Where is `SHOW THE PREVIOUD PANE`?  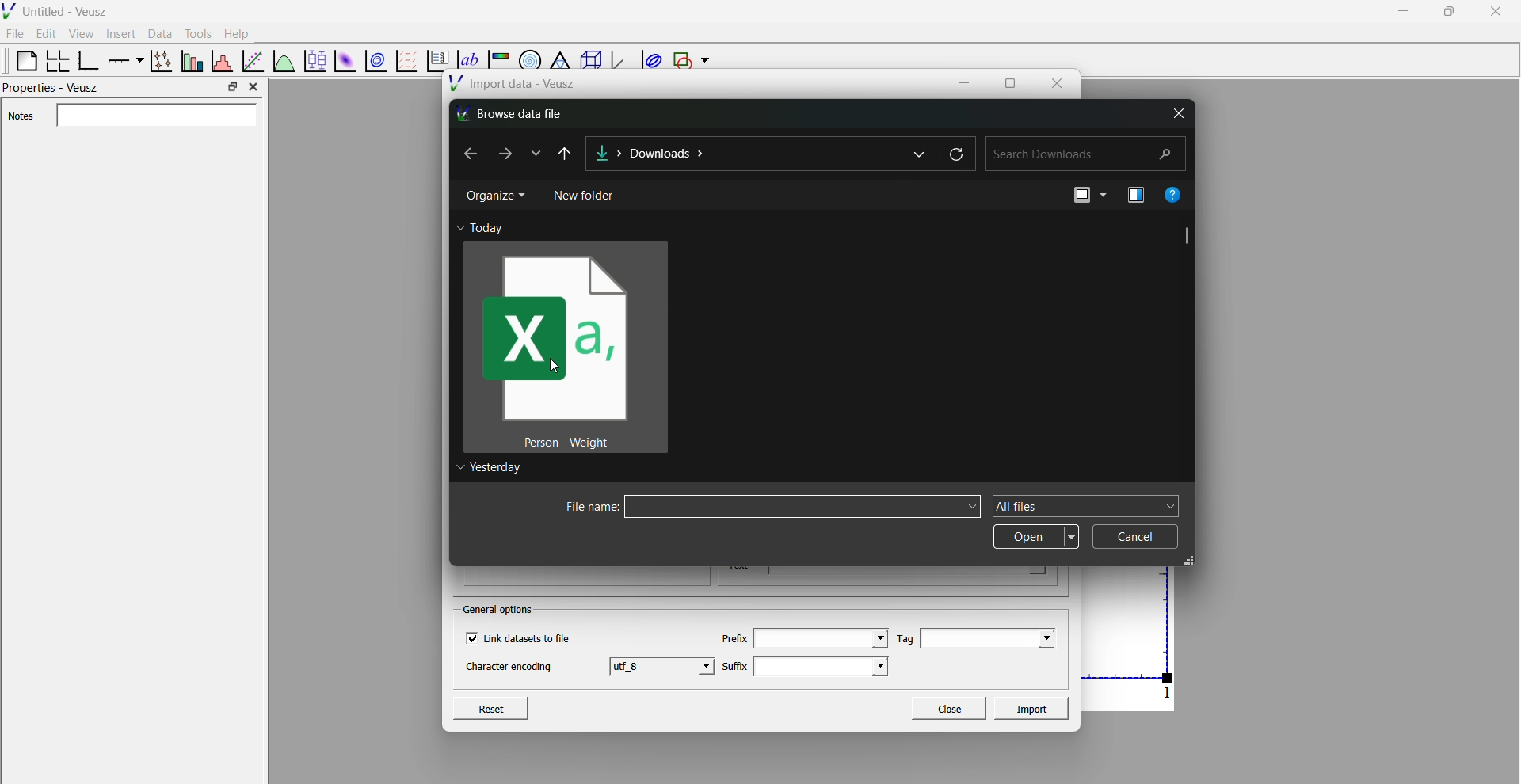 SHOW THE PREVIOUD PANE is located at coordinates (1130, 197).